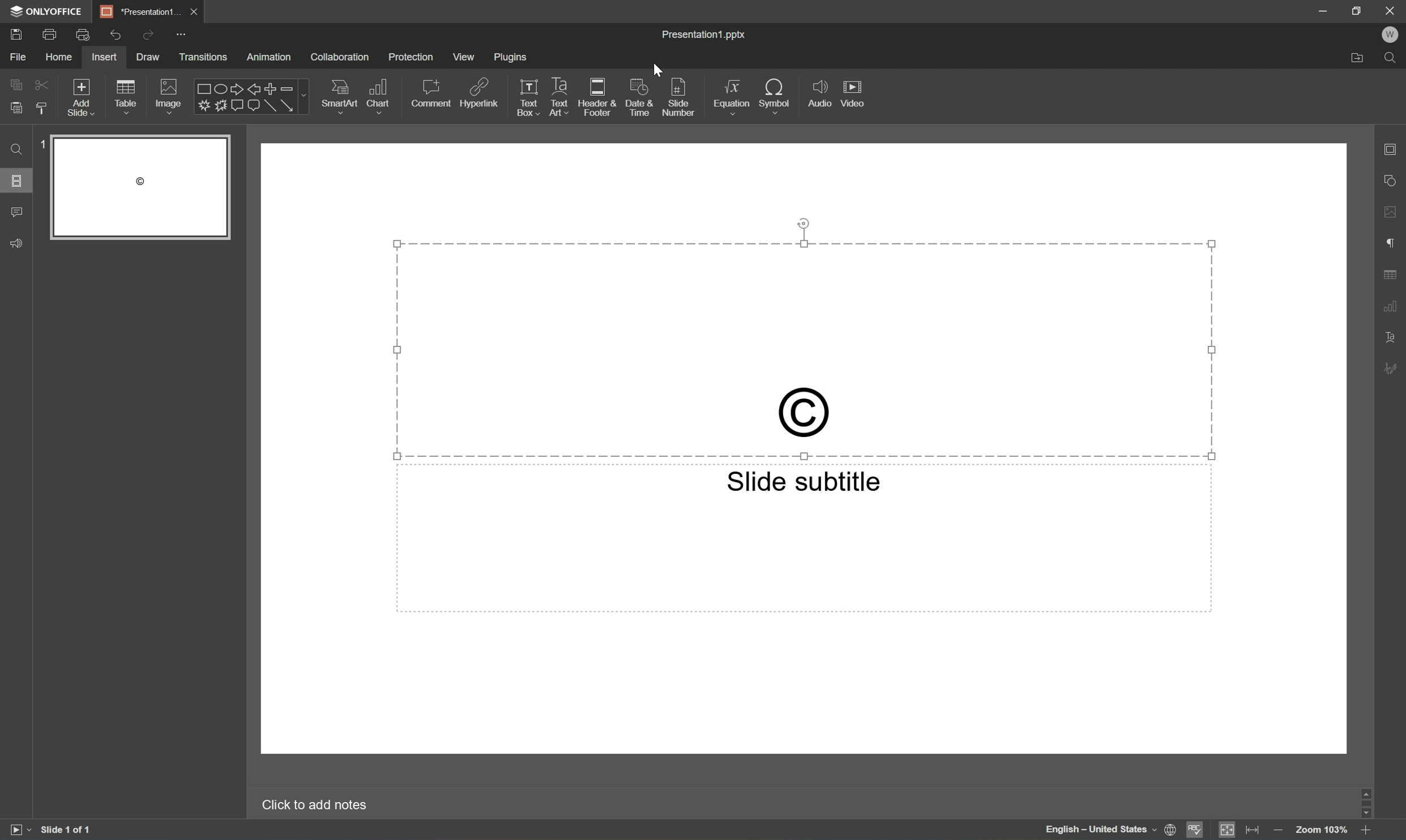 This screenshot has width=1406, height=840. I want to click on Fit to slide, so click(1226, 830).